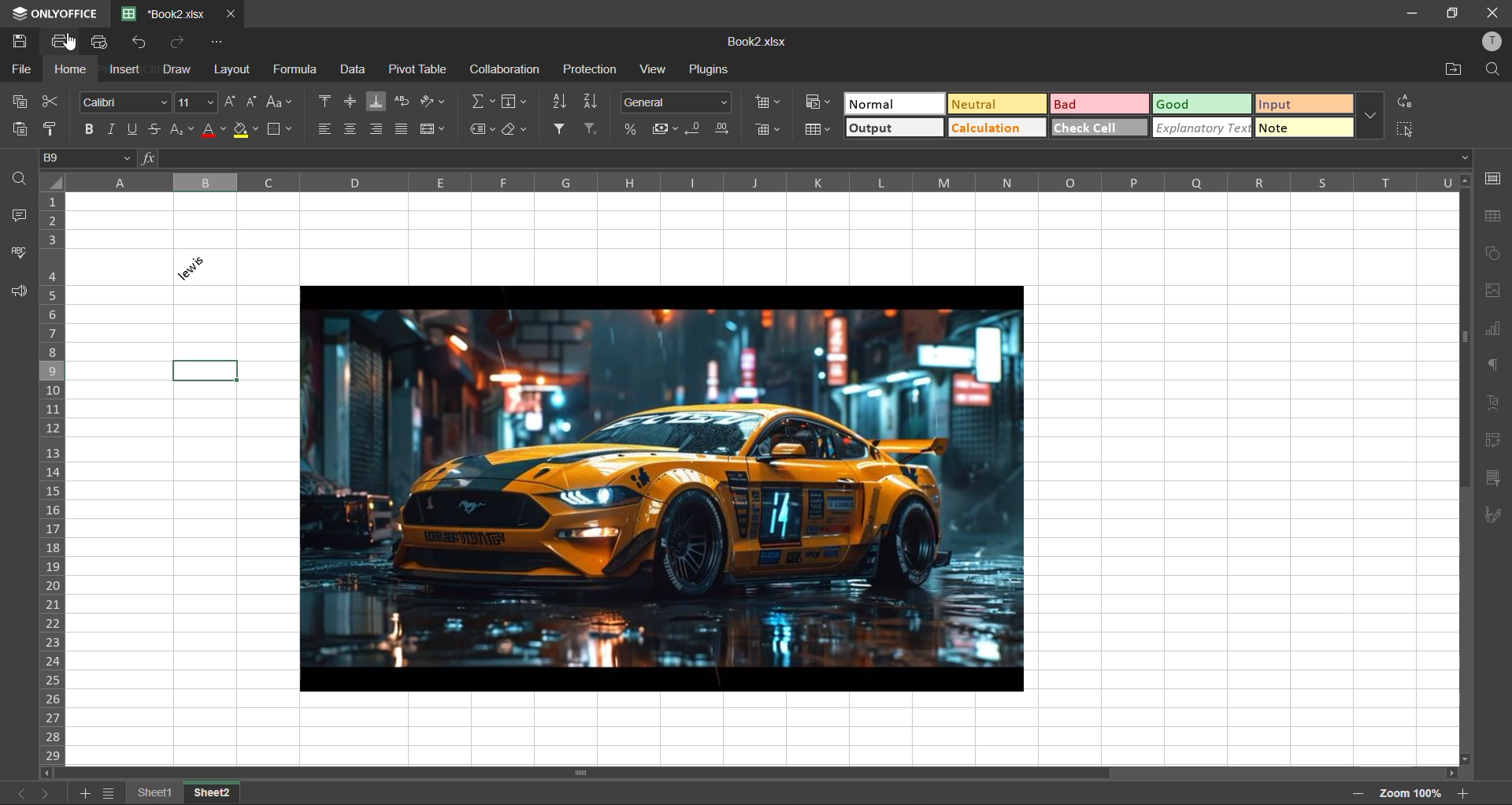 This screenshot has height=805, width=1512. Describe the element at coordinates (770, 102) in the screenshot. I see `insert cells` at that location.